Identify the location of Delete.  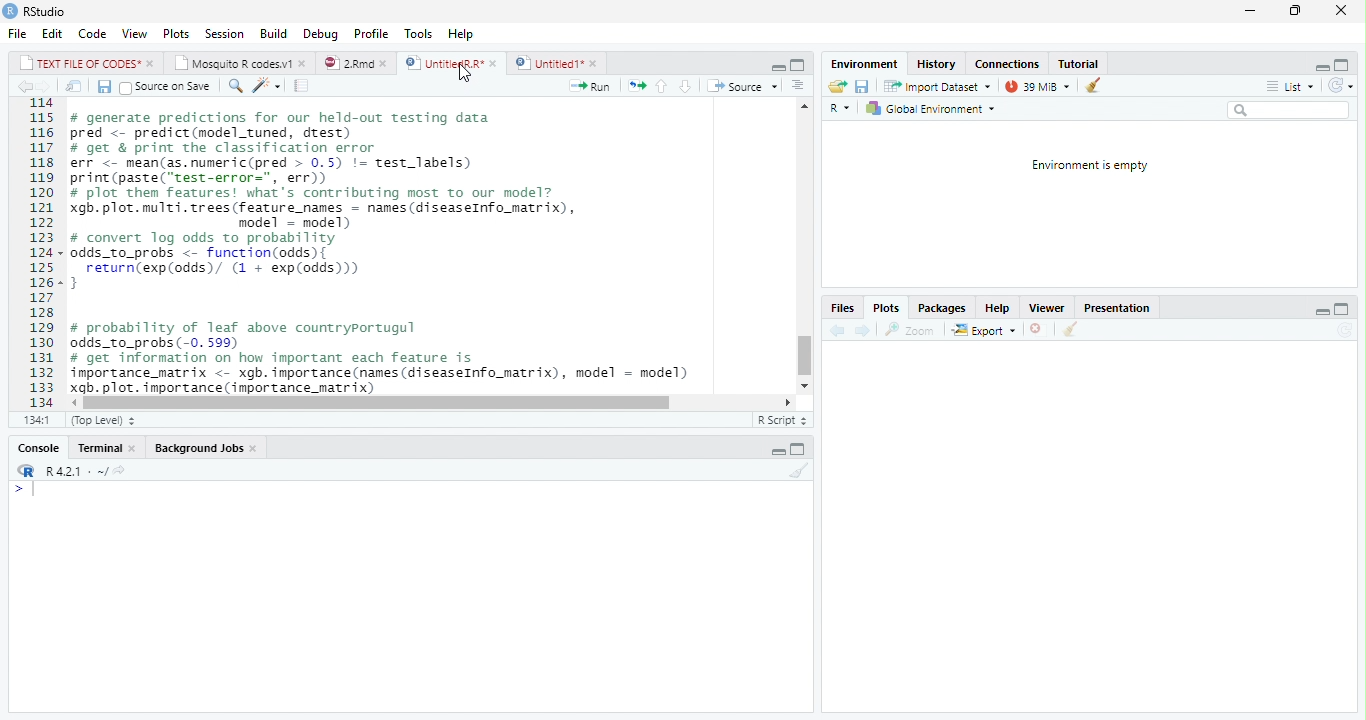
(1037, 329).